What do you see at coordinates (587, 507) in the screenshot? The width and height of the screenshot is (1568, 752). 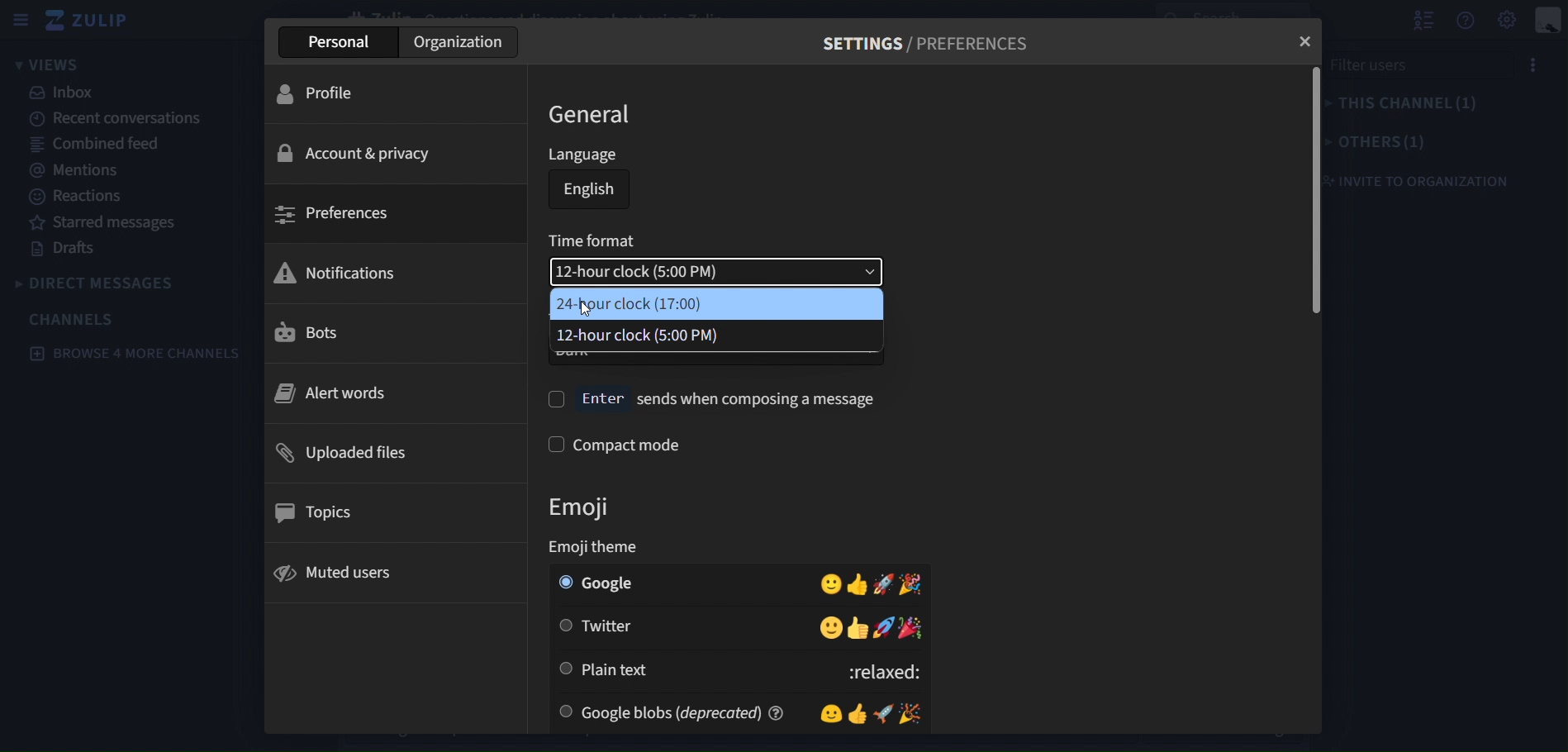 I see `emoji ` at bounding box center [587, 507].